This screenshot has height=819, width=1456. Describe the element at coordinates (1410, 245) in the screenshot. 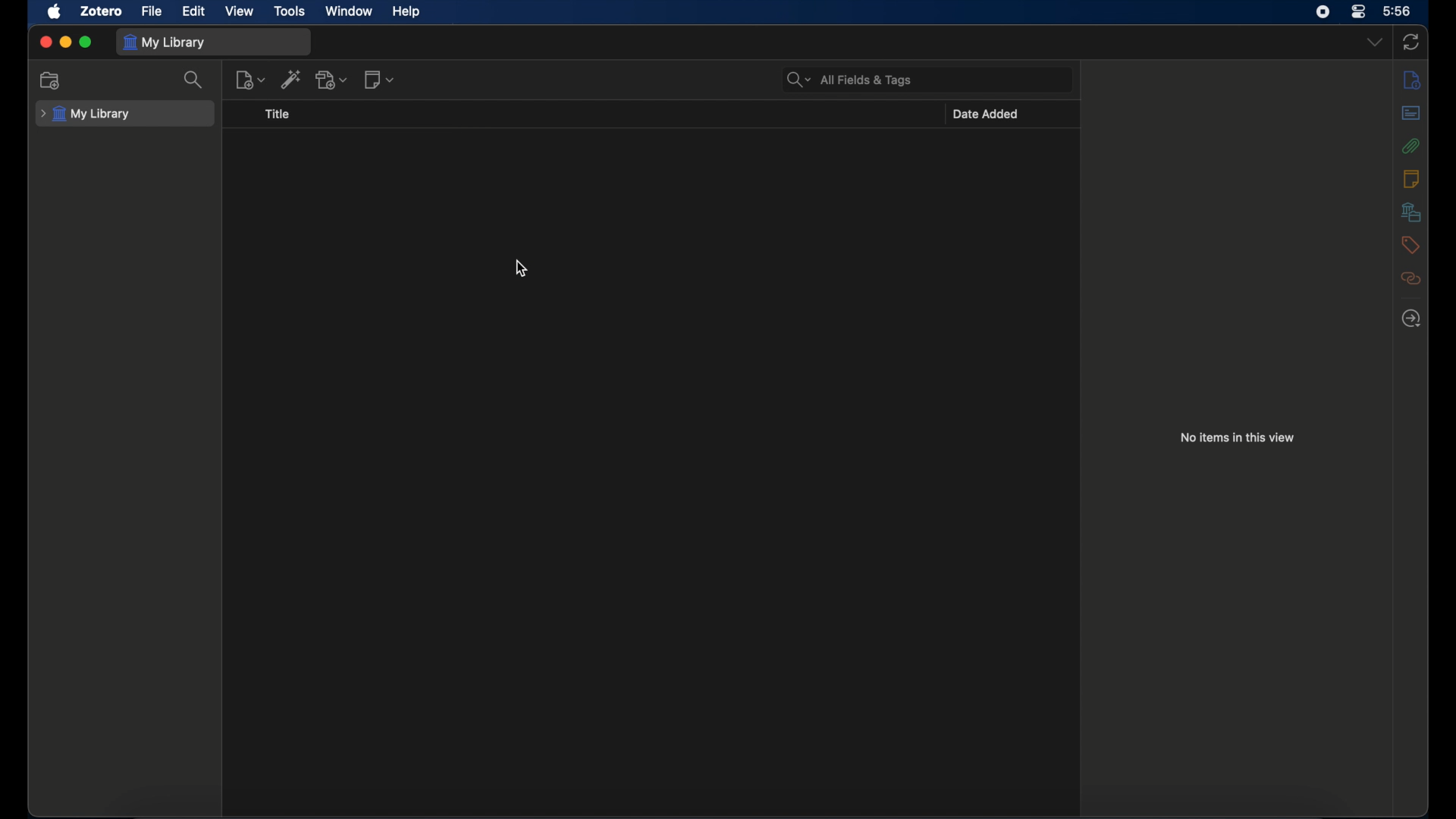

I see `tags` at that location.